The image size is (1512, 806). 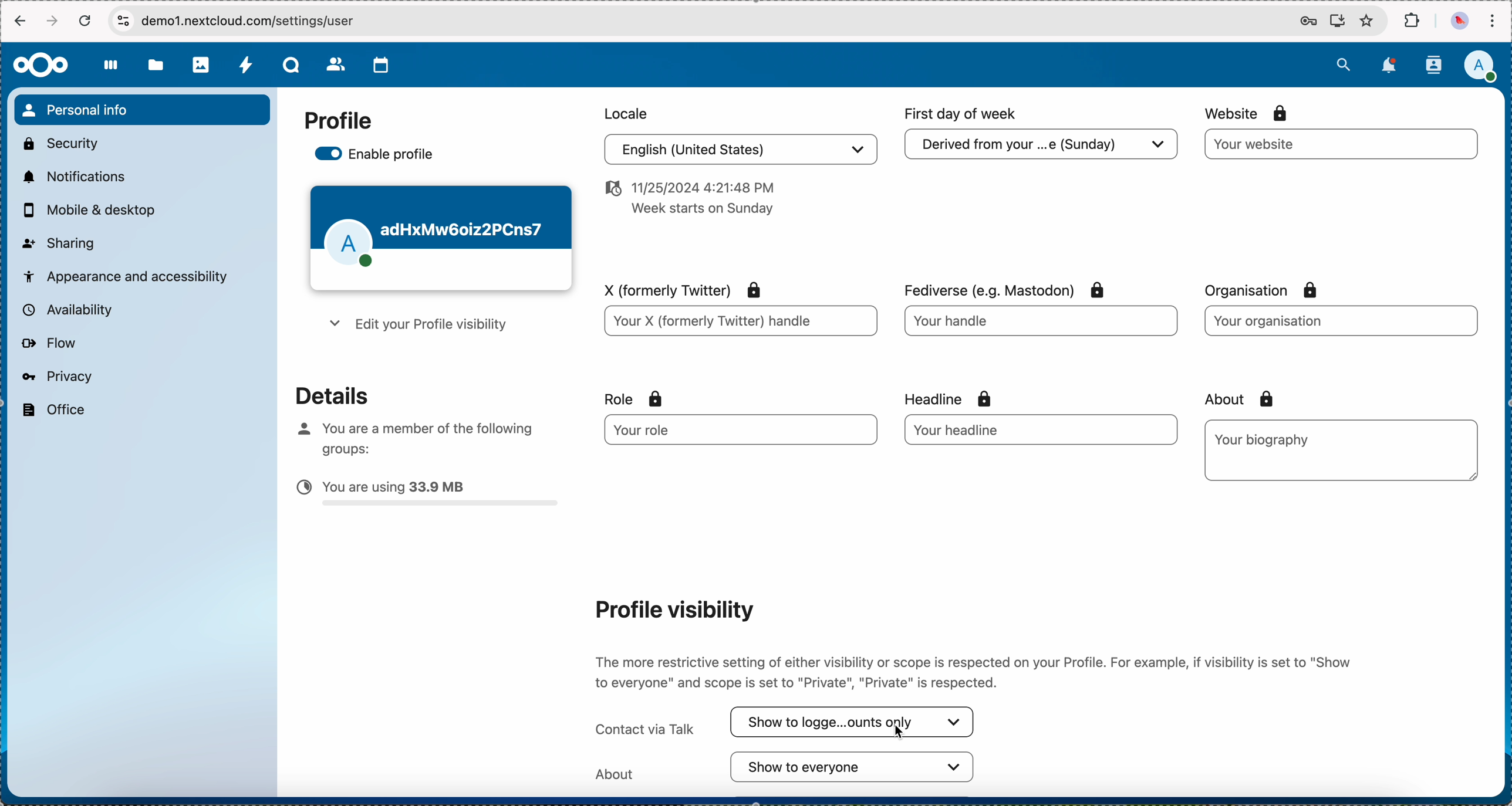 What do you see at coordinates (1343, 63) in the screenshot?
I see `search` at bounding box center [1343, 63].